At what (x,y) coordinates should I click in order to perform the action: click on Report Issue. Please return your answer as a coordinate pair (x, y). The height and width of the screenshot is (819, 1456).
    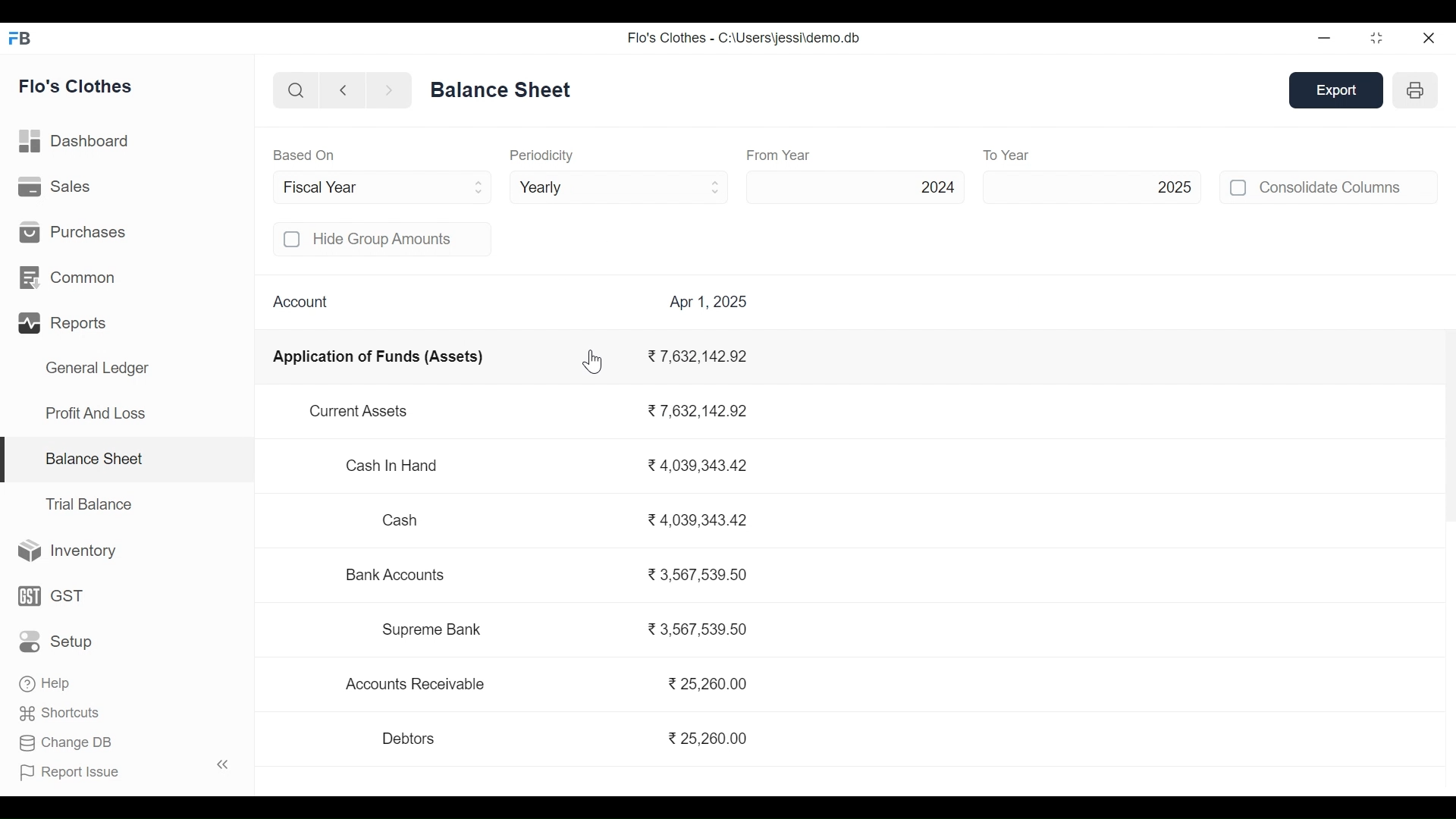
    Looking at the image, I should click on (71, 770).